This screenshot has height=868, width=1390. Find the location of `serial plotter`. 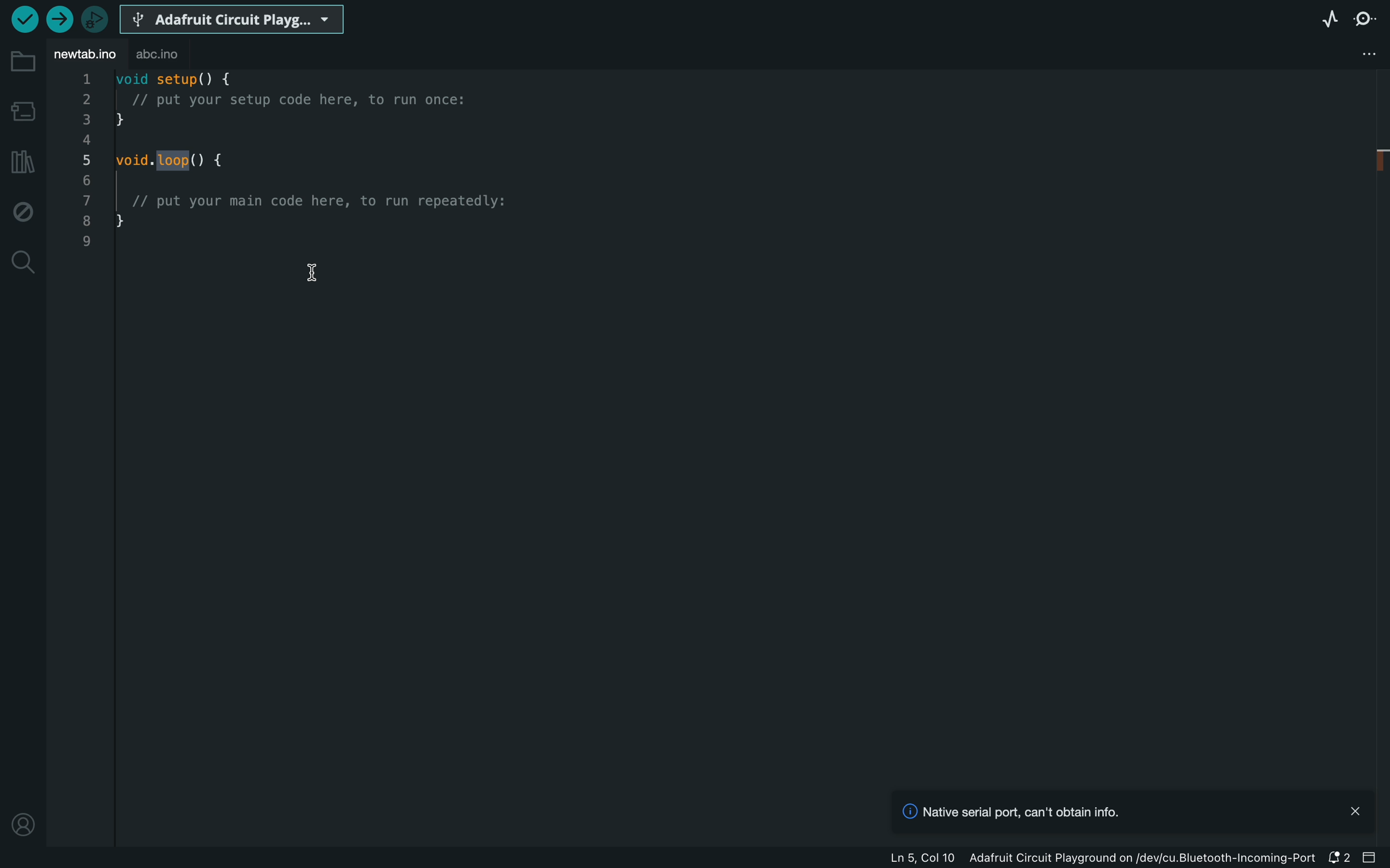

serial plotter is located at coordinates (1329, 20).